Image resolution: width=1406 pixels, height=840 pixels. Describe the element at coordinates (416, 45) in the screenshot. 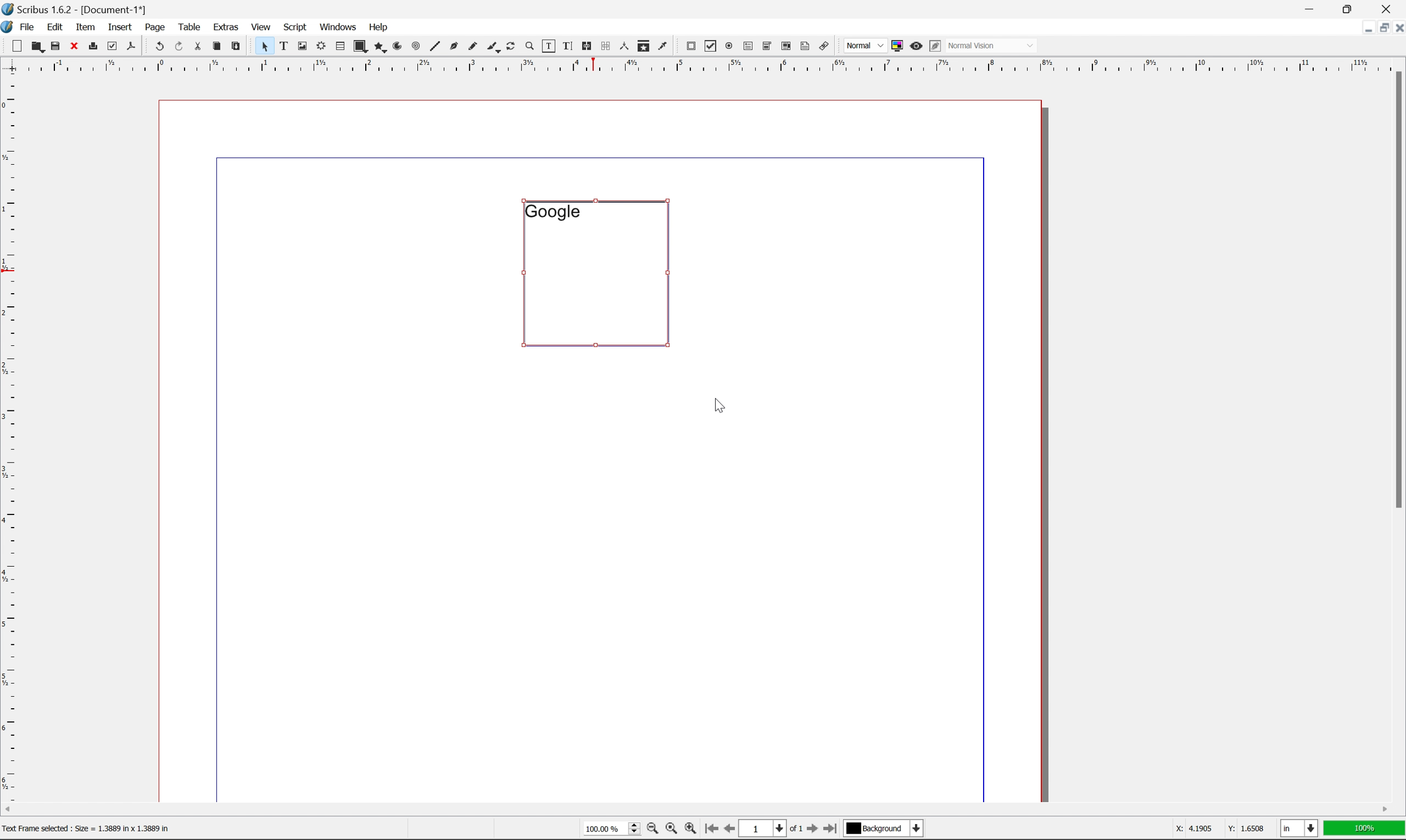

I see `spiral` at that location.